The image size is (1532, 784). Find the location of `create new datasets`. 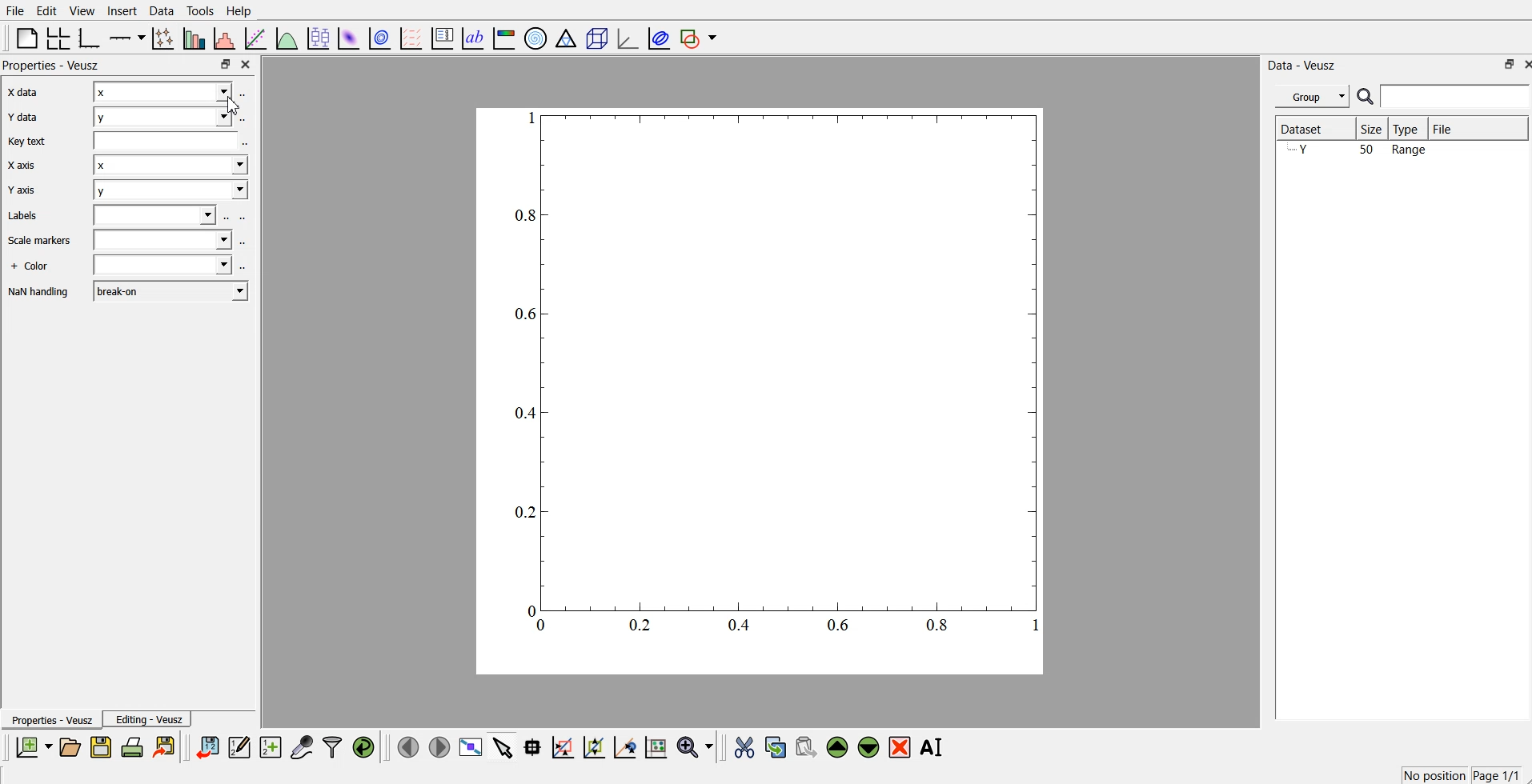

create new datasets is located at coordinates (271, 748).